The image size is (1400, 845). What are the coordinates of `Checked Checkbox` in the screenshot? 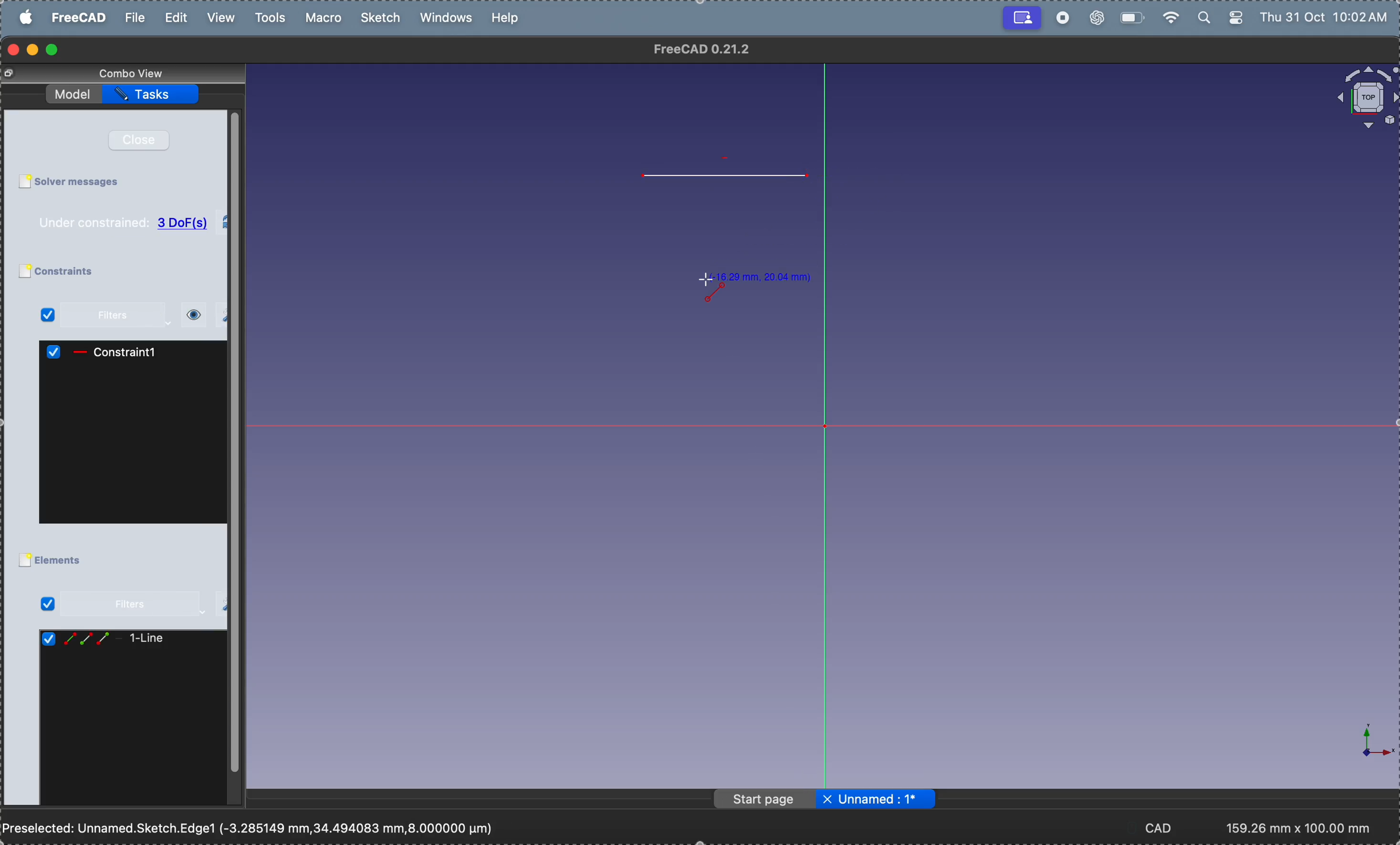 It's located at (47, 604).